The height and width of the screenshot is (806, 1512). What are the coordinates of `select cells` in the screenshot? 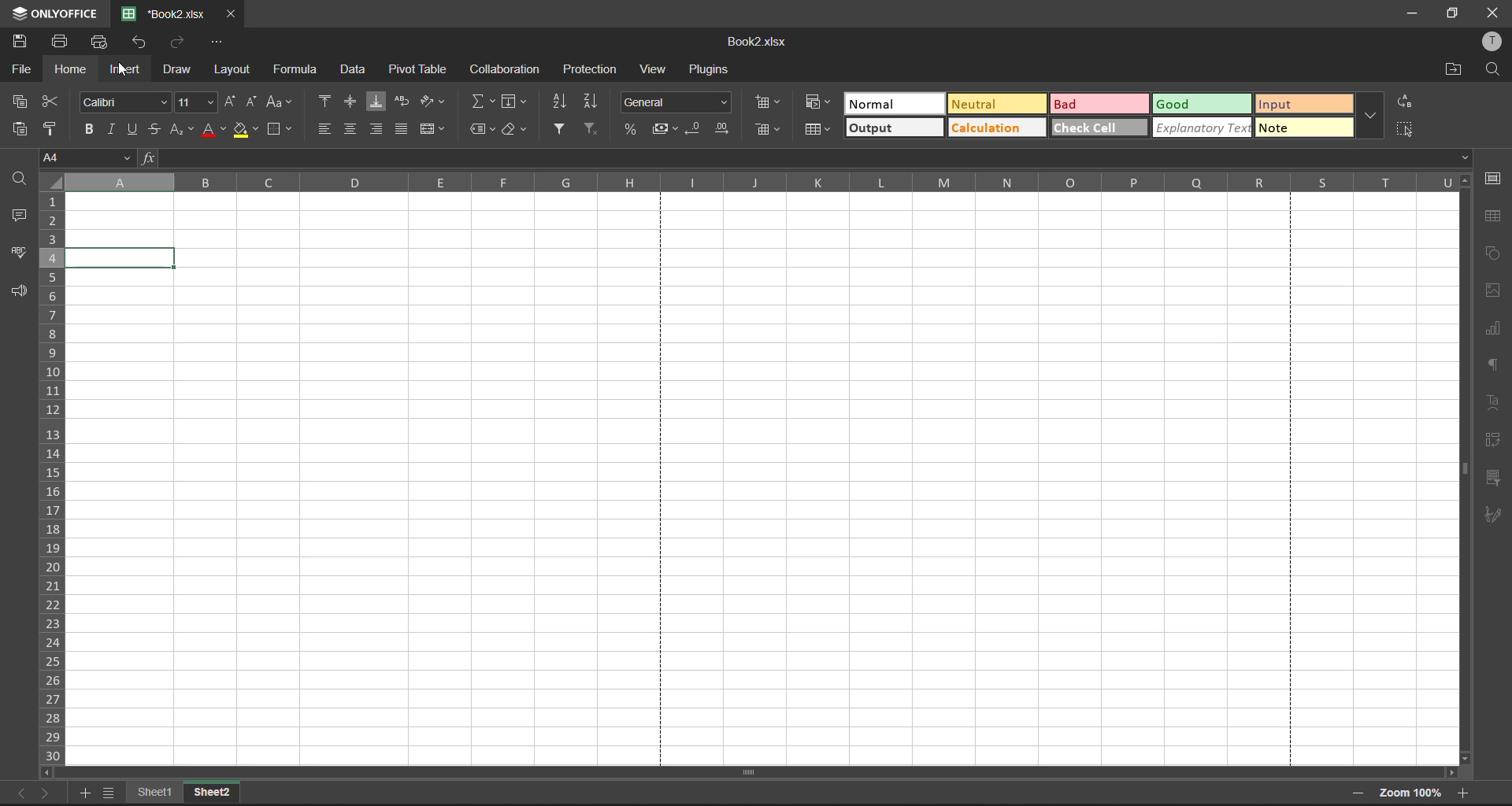 It's located at (1406, 128).